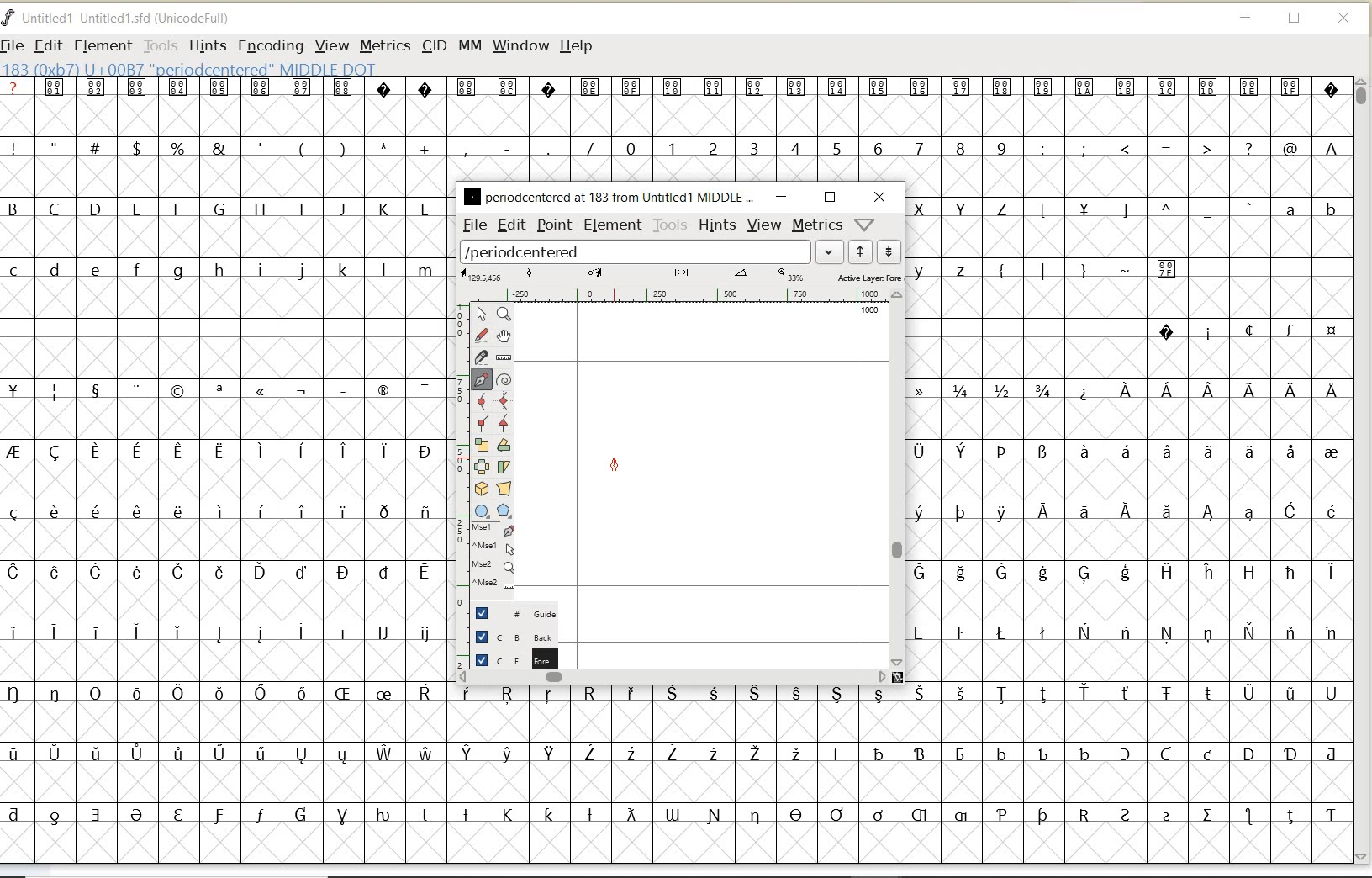 This screenshot has height=878, width=1372. I want to click on glyph selected, so click(755, 418).